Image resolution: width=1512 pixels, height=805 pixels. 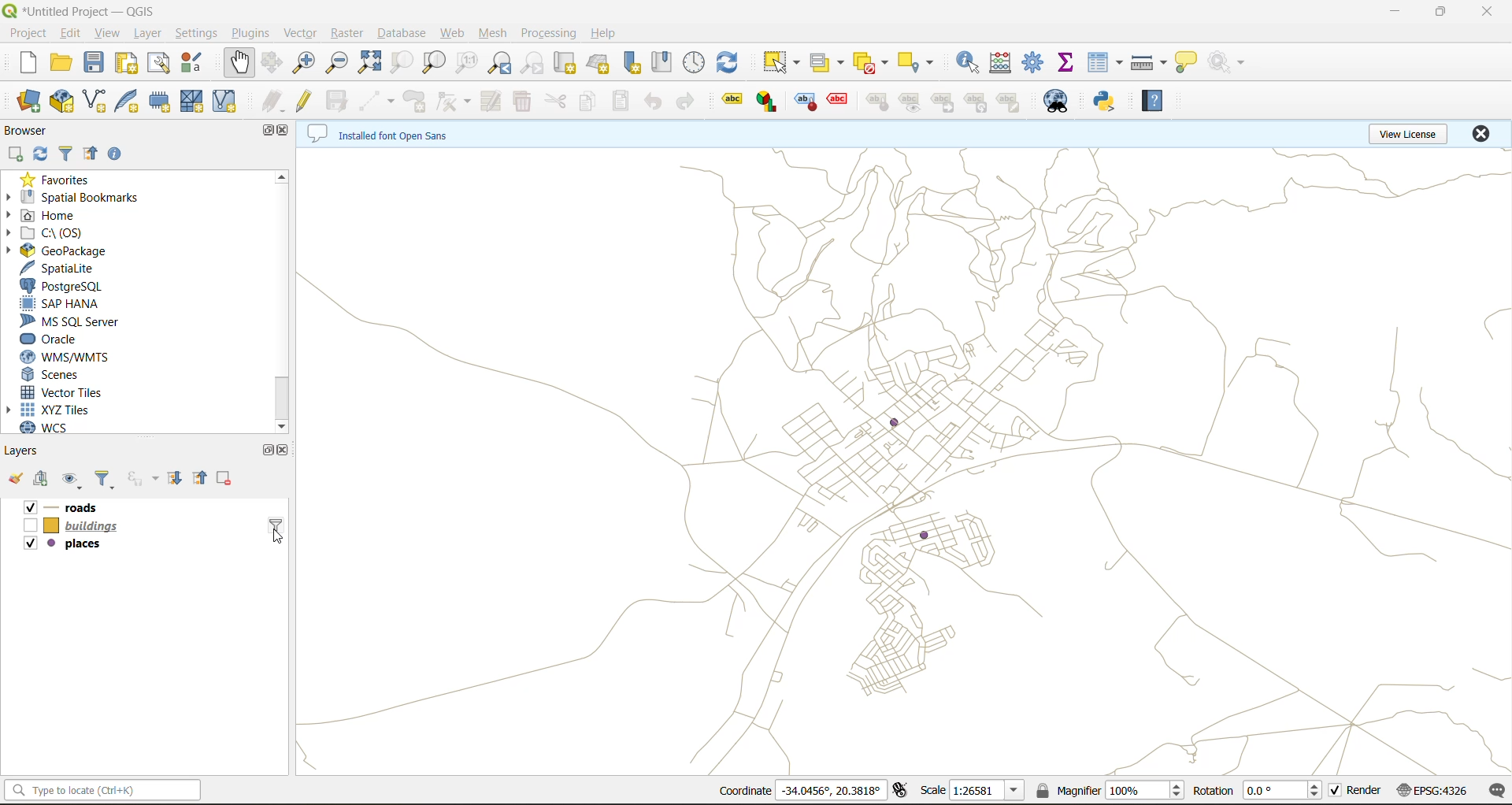 What do you see at coordinates (336, 104) in the screenshot?
I see `save edits` at bounding box center [336, 104].